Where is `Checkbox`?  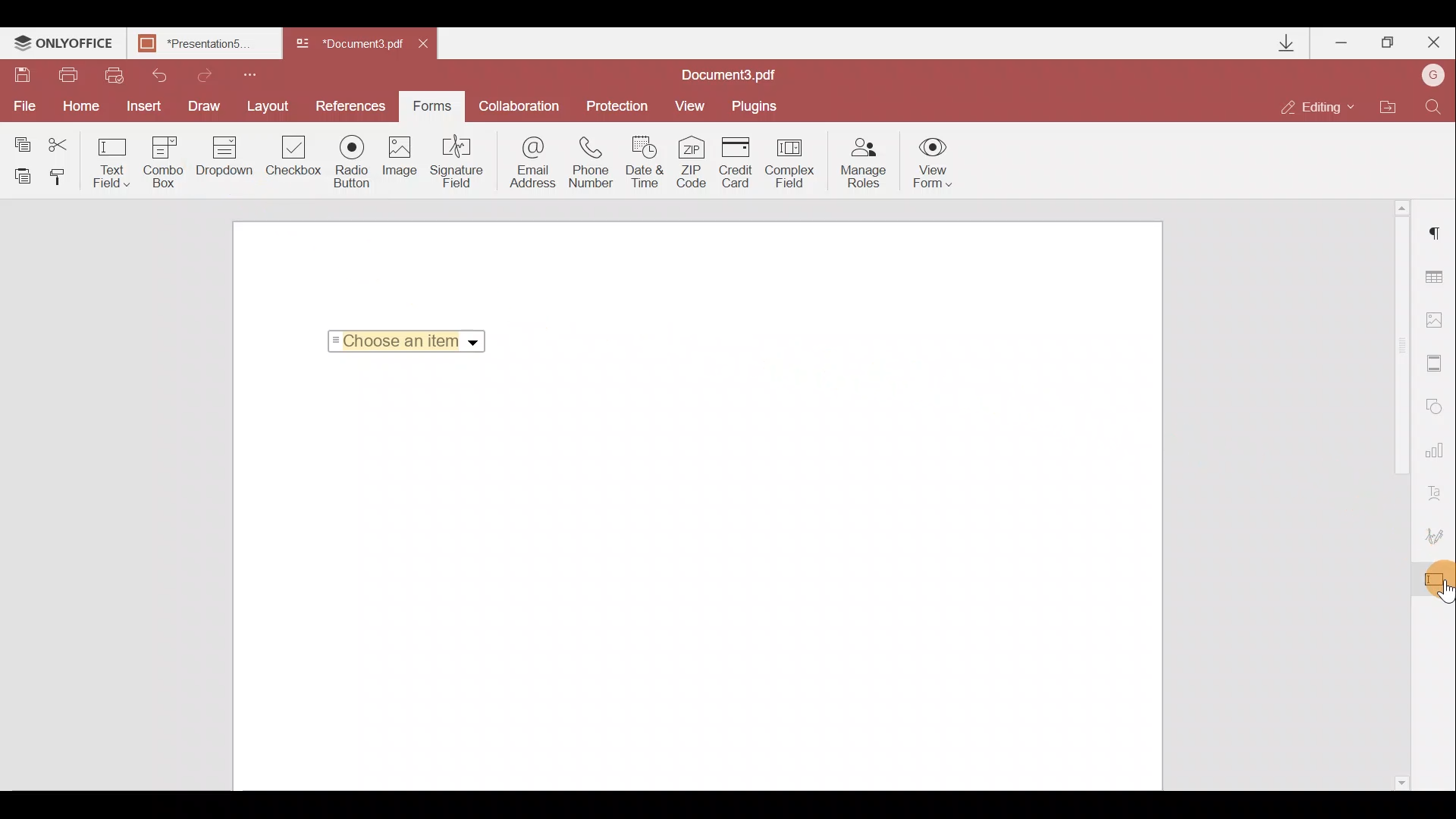
Checkbox is located at coordinates (294, 157).